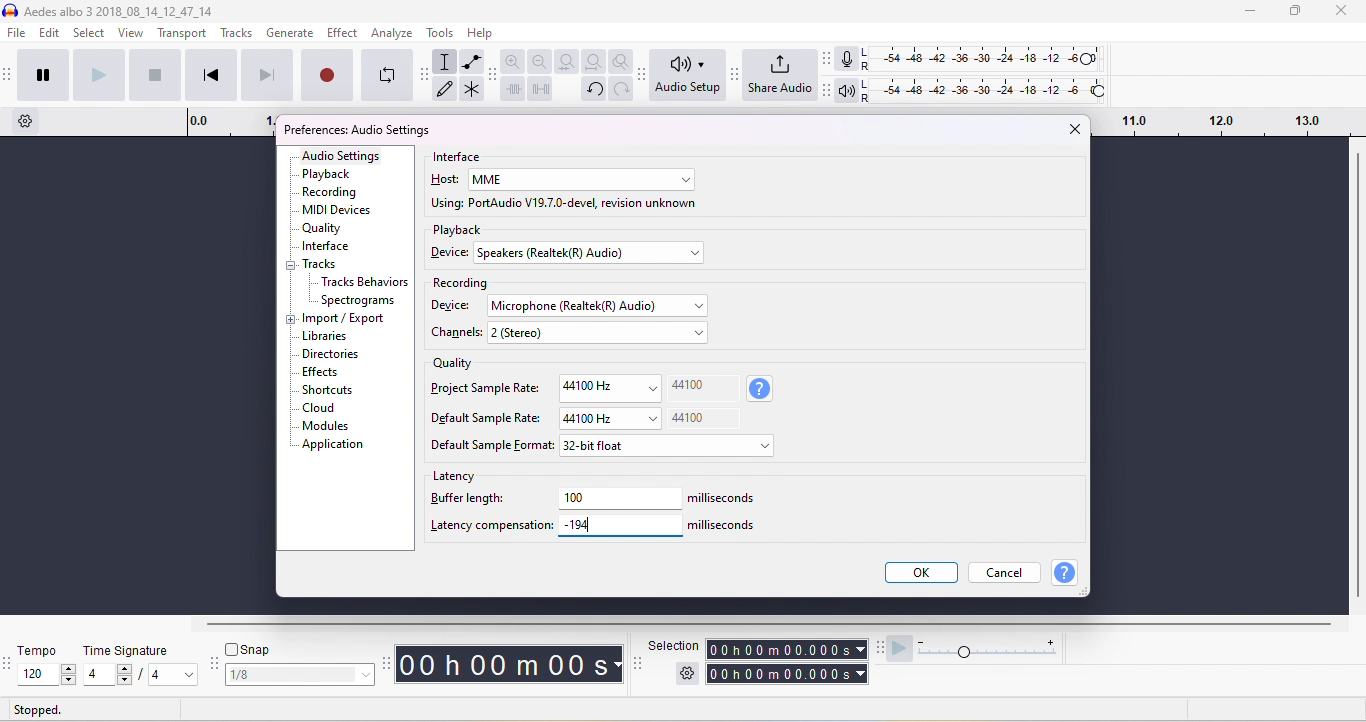  What do you see at coordinates (492, 74) in the screenshot?
I see `audacity edit toolbar` at bounding box center [492, 74].